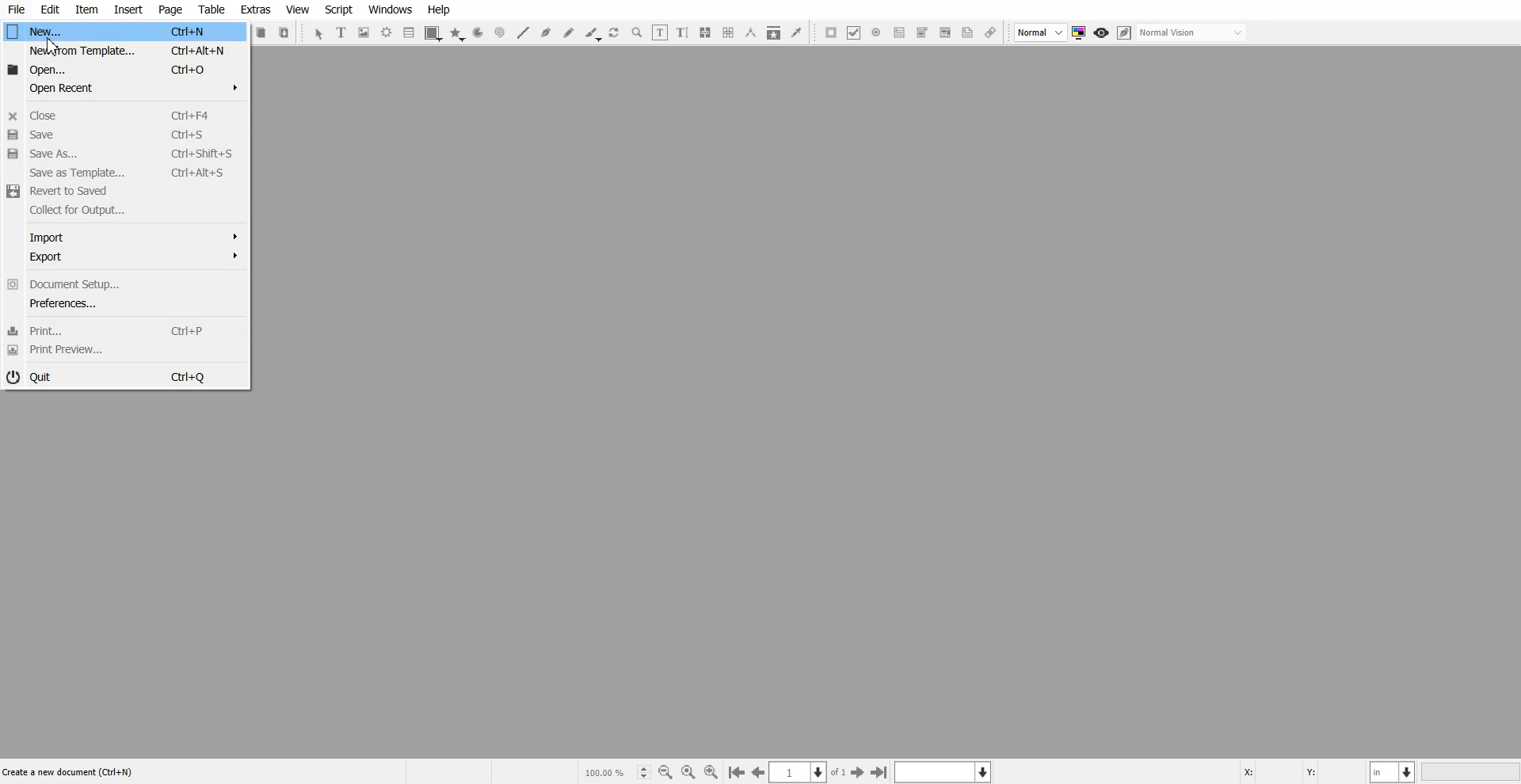 This screenshot has height=784, width=1521. Describe the element at coordinates (809, 772) in the screenshot. I see `Select the current page` at that location.